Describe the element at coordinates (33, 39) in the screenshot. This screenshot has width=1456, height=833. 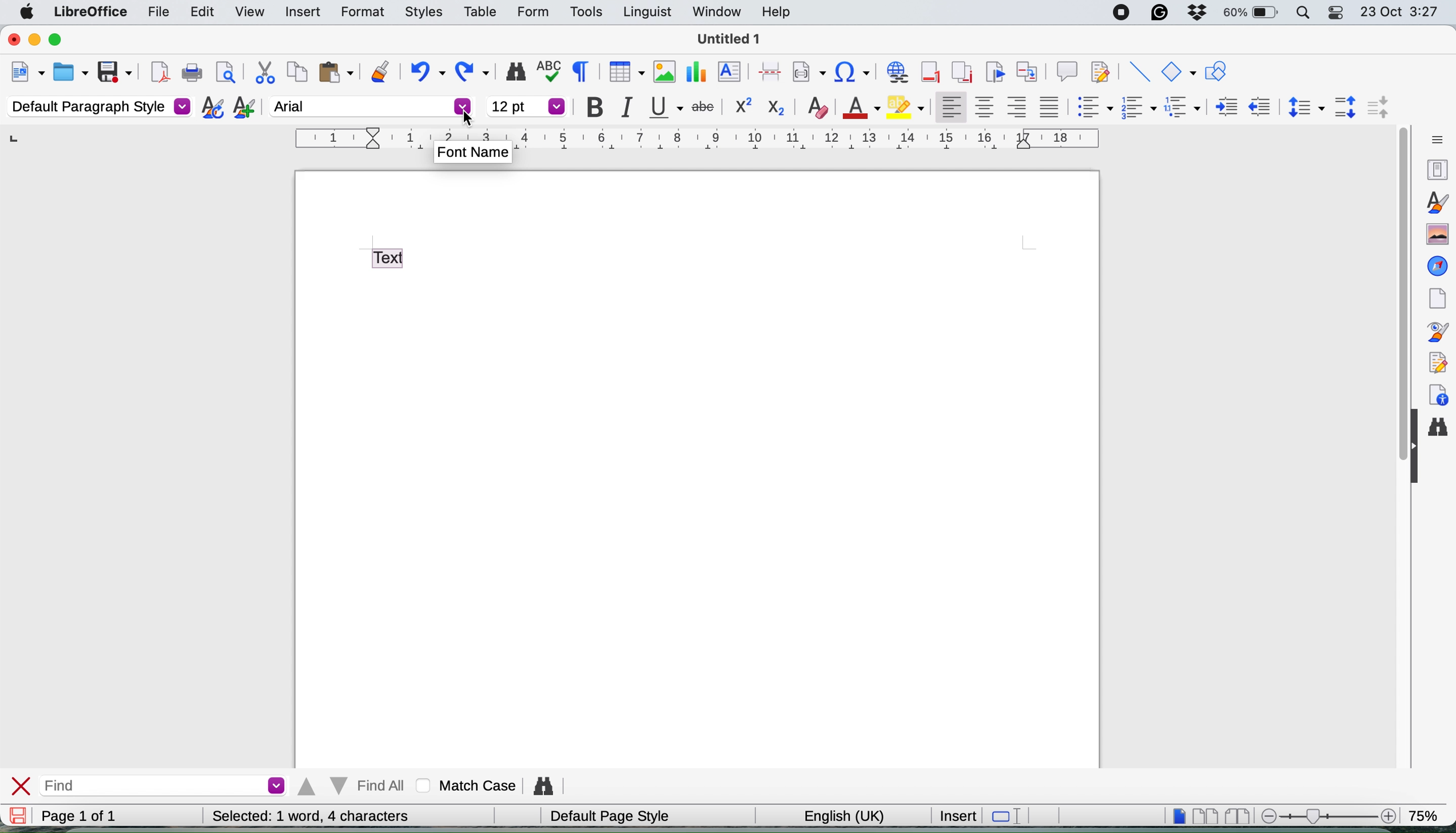
I see `minimise` at that location.